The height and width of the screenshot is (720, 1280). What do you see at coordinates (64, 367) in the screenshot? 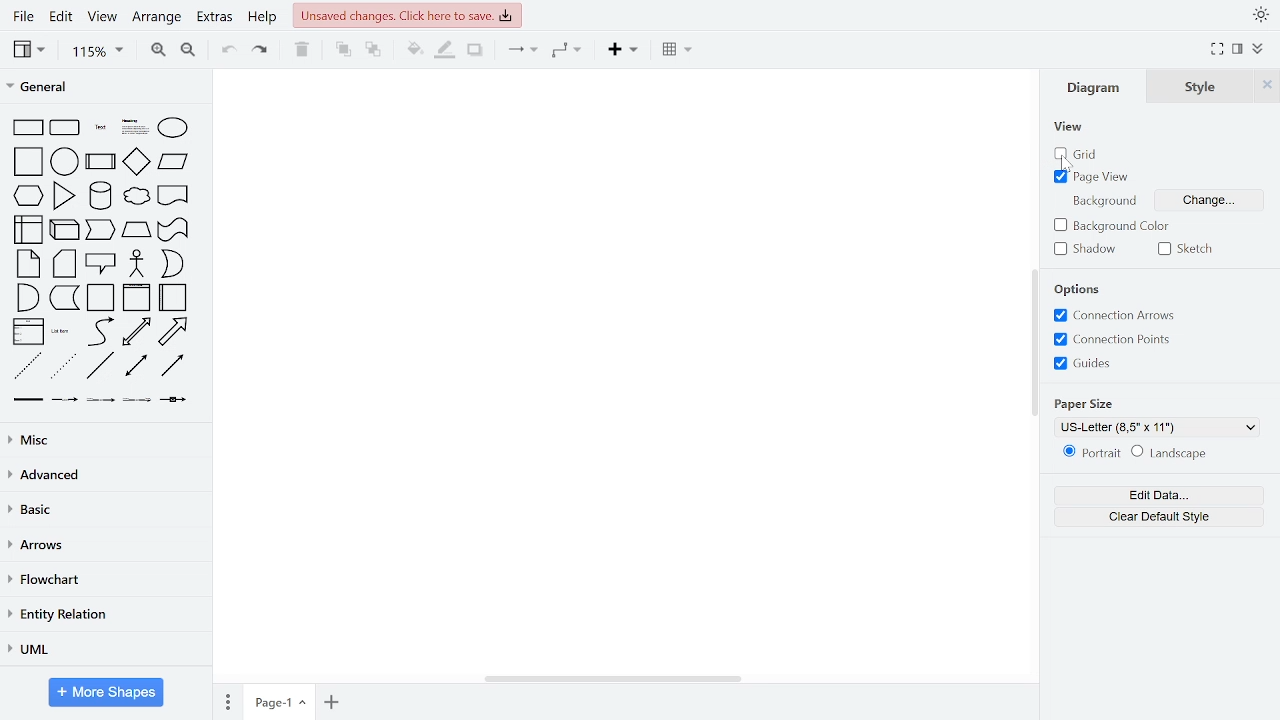
I see `dotted line` at bounding box center [64, 367].